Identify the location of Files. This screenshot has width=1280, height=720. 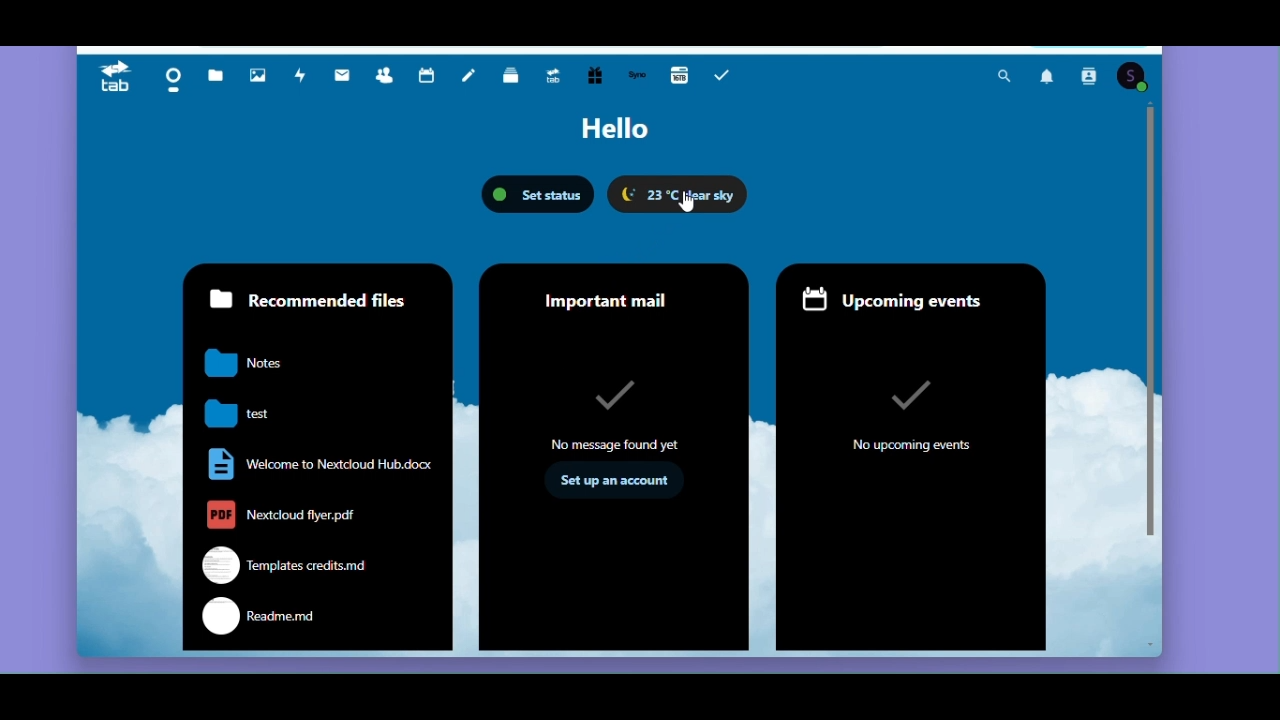
(217, 79).